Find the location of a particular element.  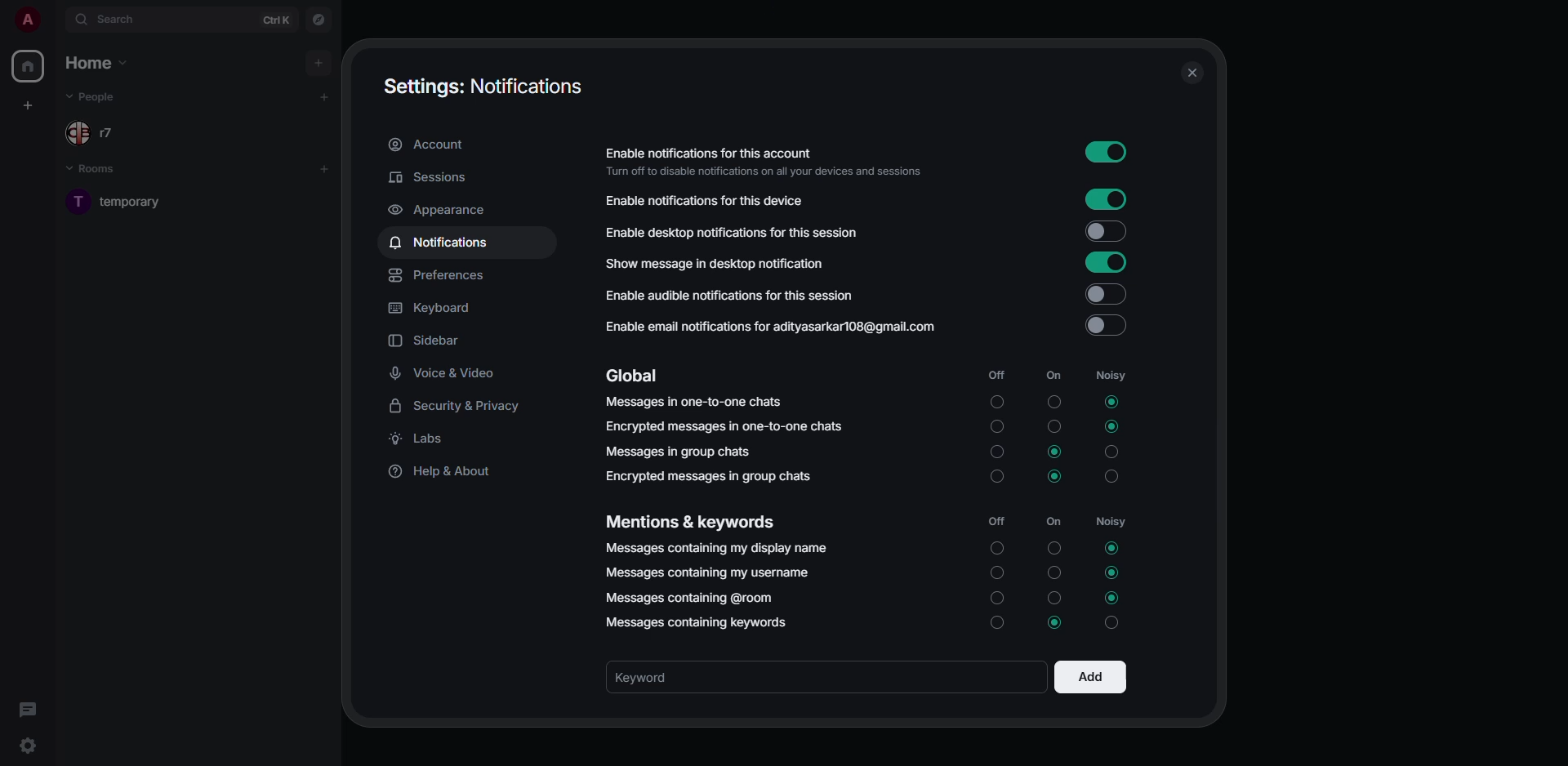

turn on is located at coordinates (995, 626).